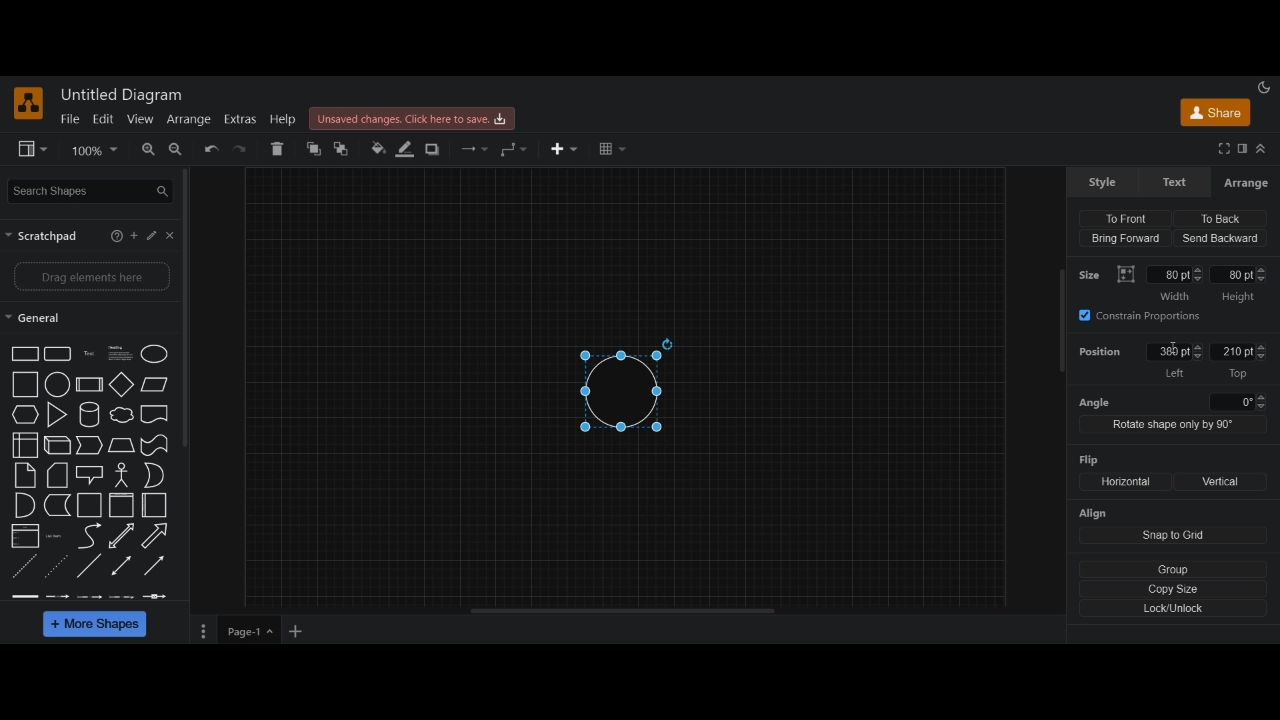 This screenshot has width=1280, height=720. What do you see at coordinates (26, 384) in the screenshot?
I see `Square` at bounding box center [26, 384].